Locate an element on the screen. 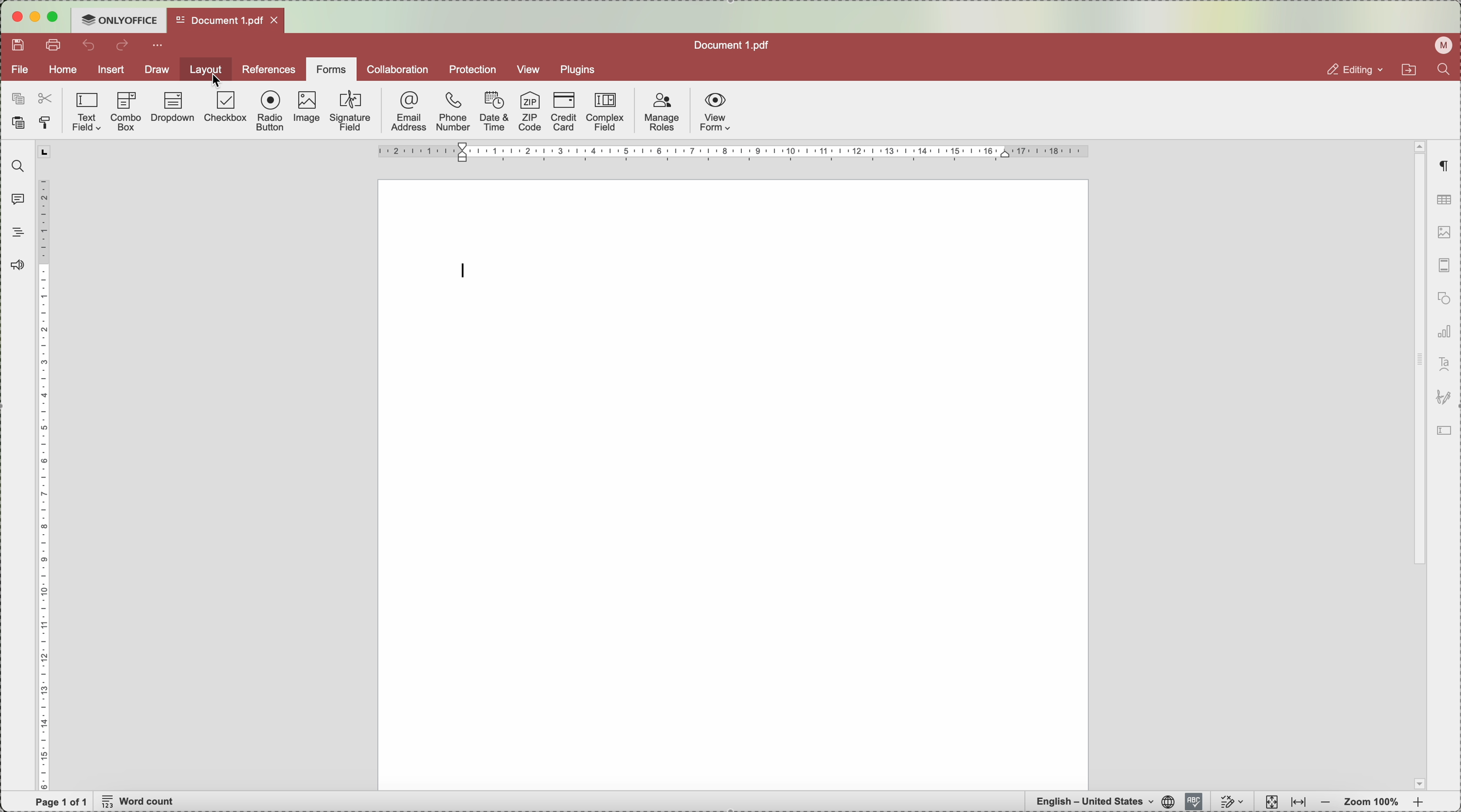 This screenshot has width=1461, height=812. open file is located at coordinates (224, 20).